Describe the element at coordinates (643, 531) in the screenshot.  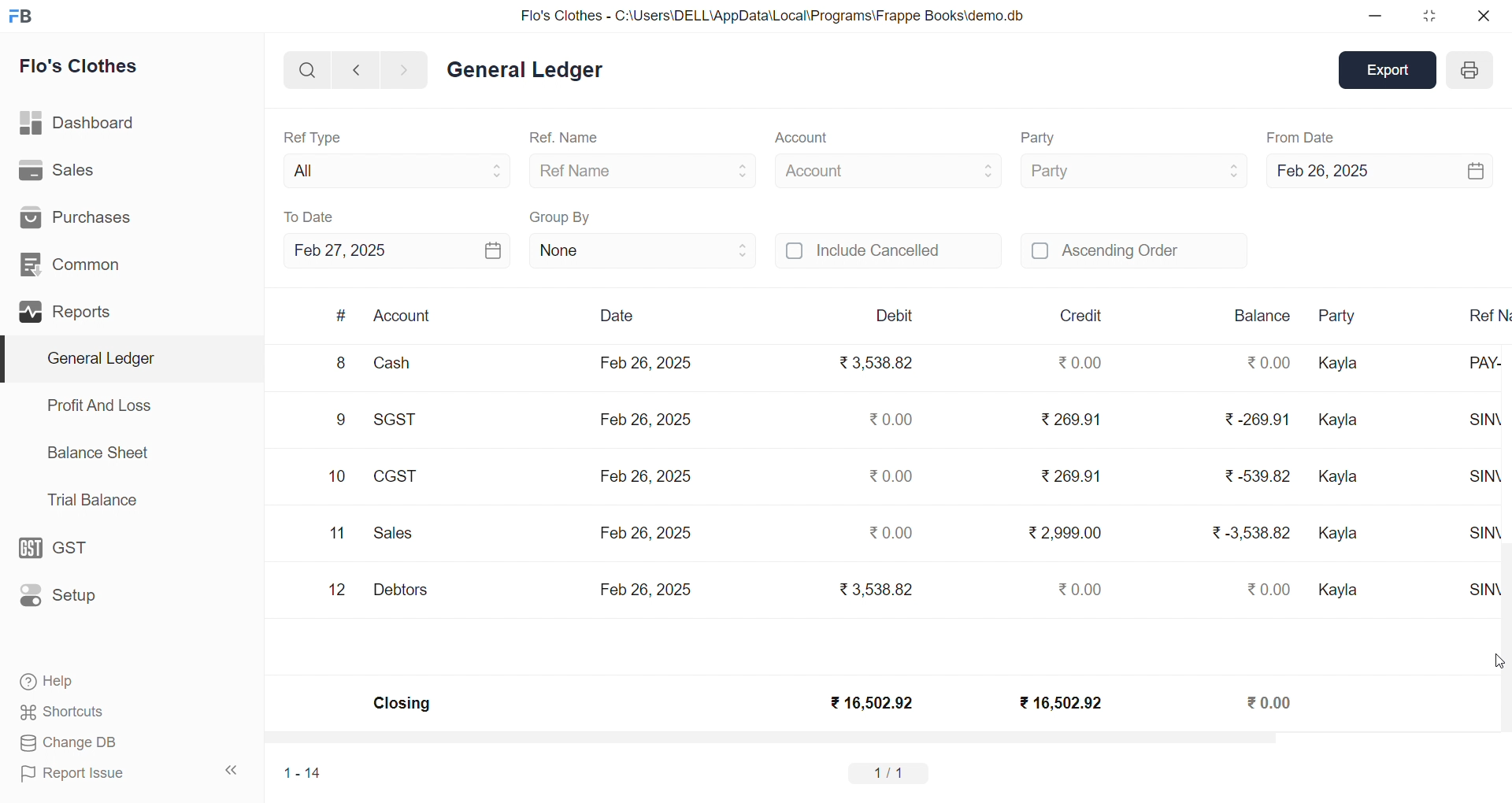
I see `Feb 26, 2025` at that location.